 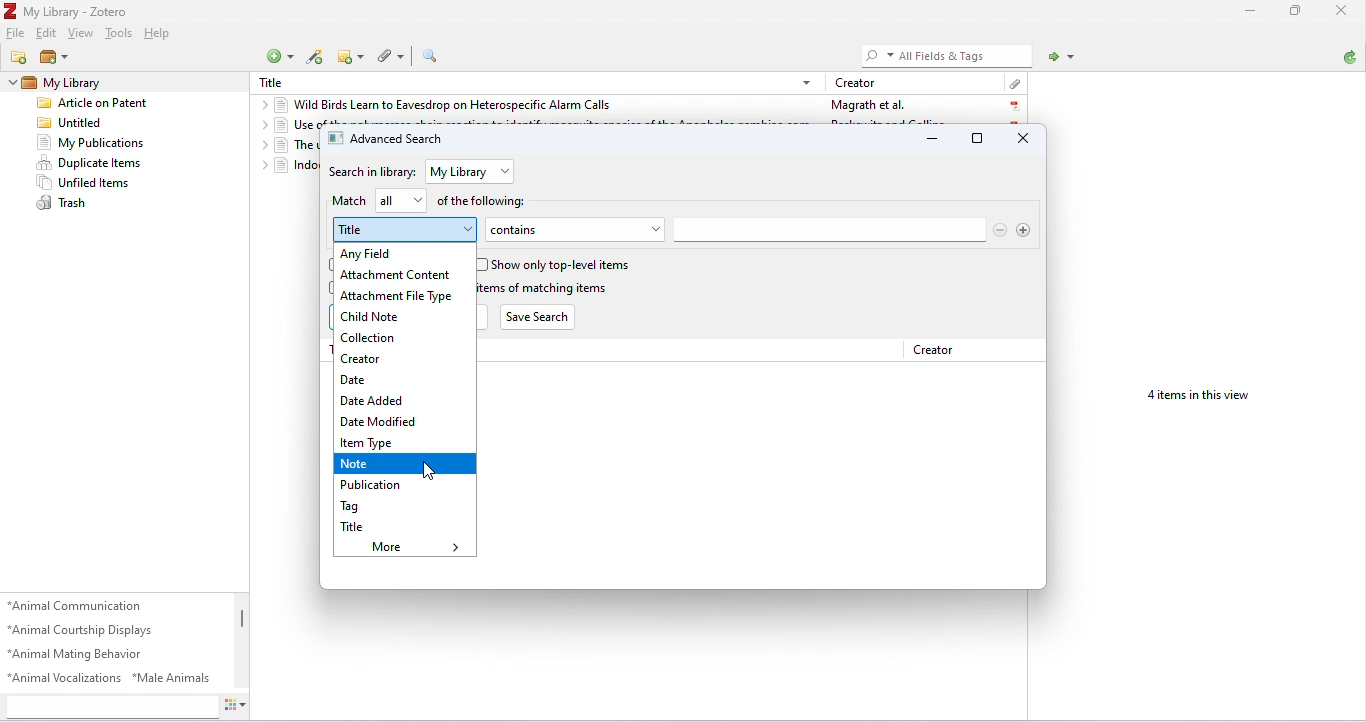 I want to click on my library, so click(x=460, y=172).